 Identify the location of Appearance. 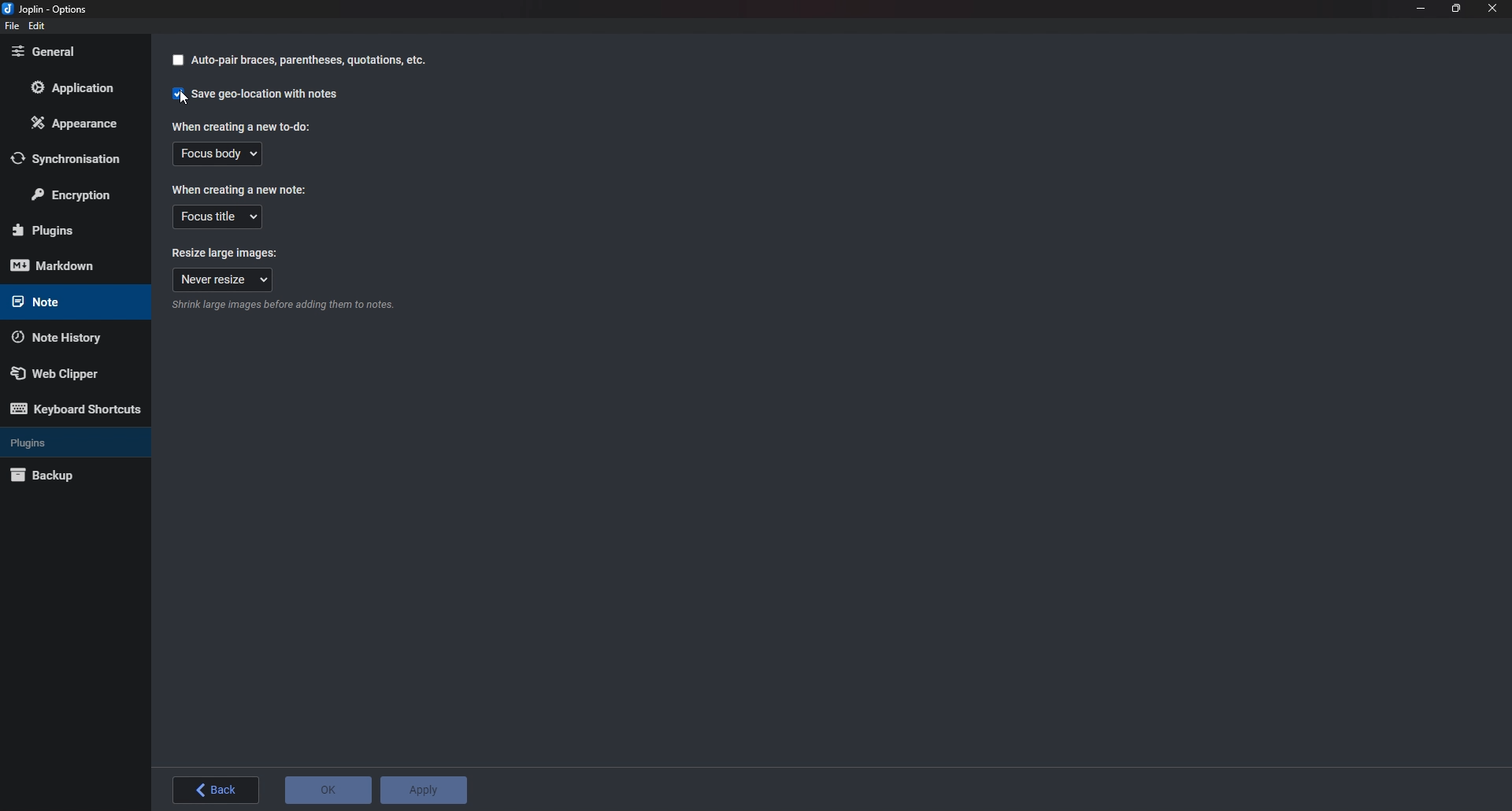
(76, 126).